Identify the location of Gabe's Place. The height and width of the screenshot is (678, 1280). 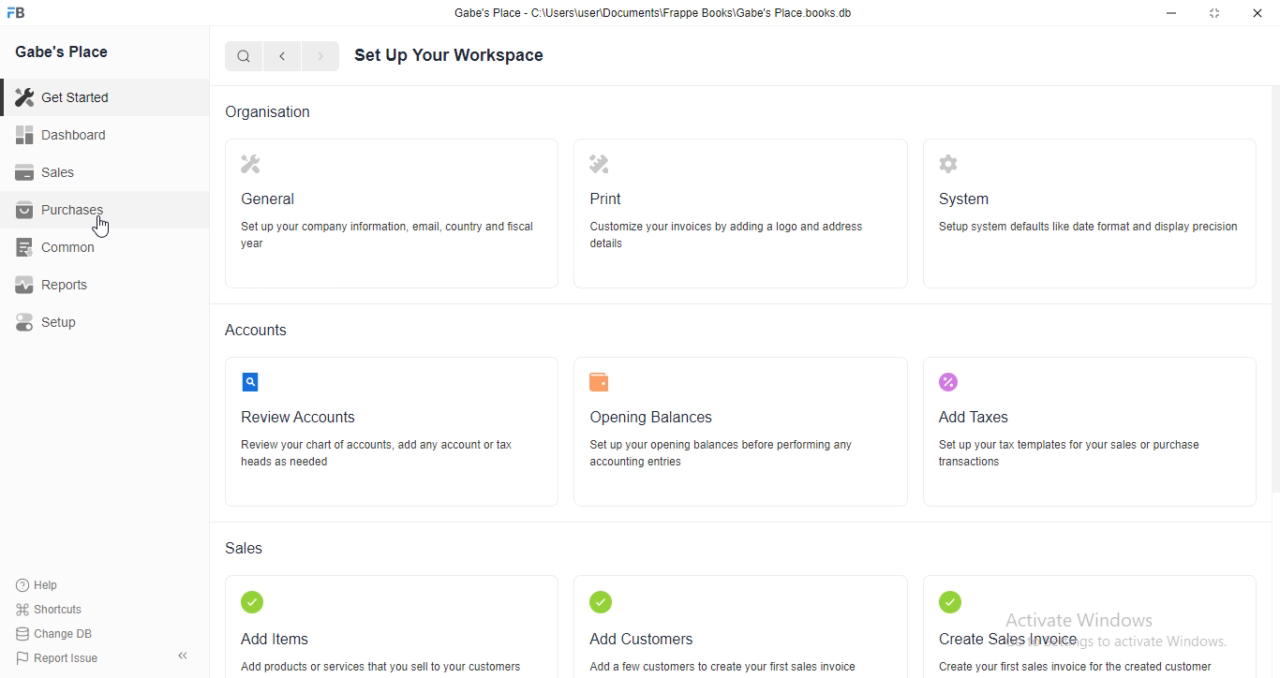
(66, 53).